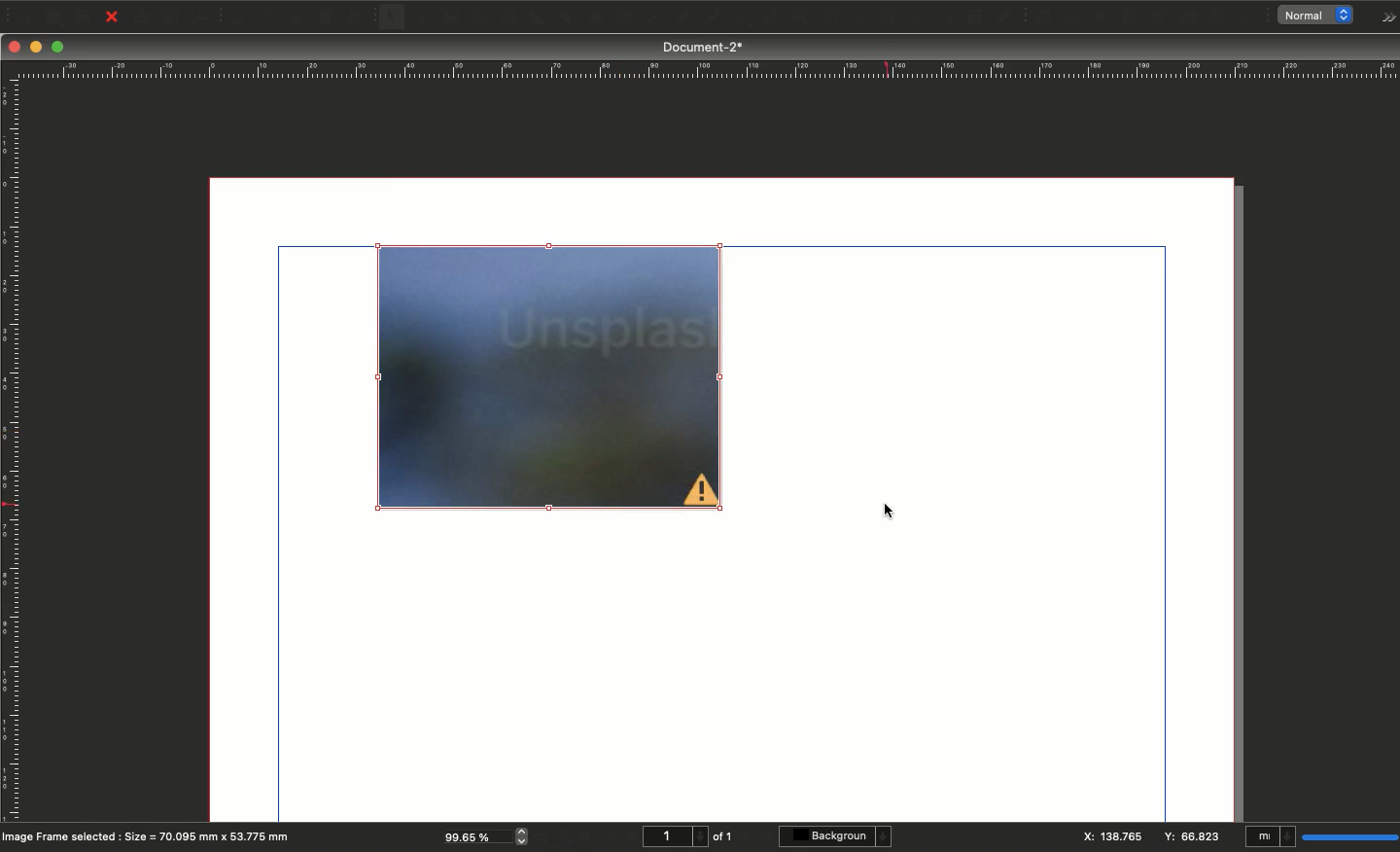 The height and width of the screenshot is (852, 1400). I want to click on Open, so click(52, 18).